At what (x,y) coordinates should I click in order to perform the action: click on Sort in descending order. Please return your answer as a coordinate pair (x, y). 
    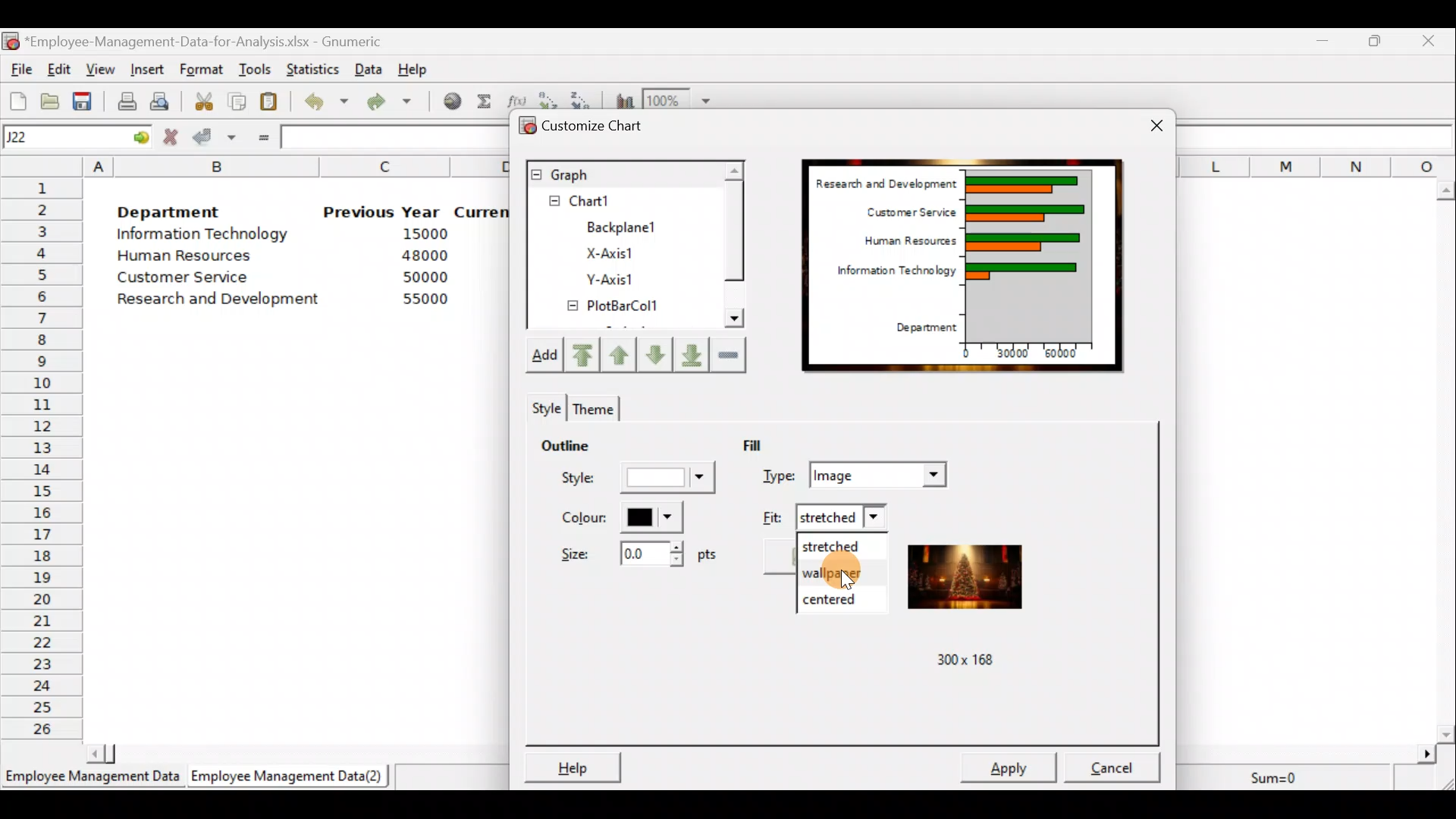
    Looking at the image, I should click on (583, 98).